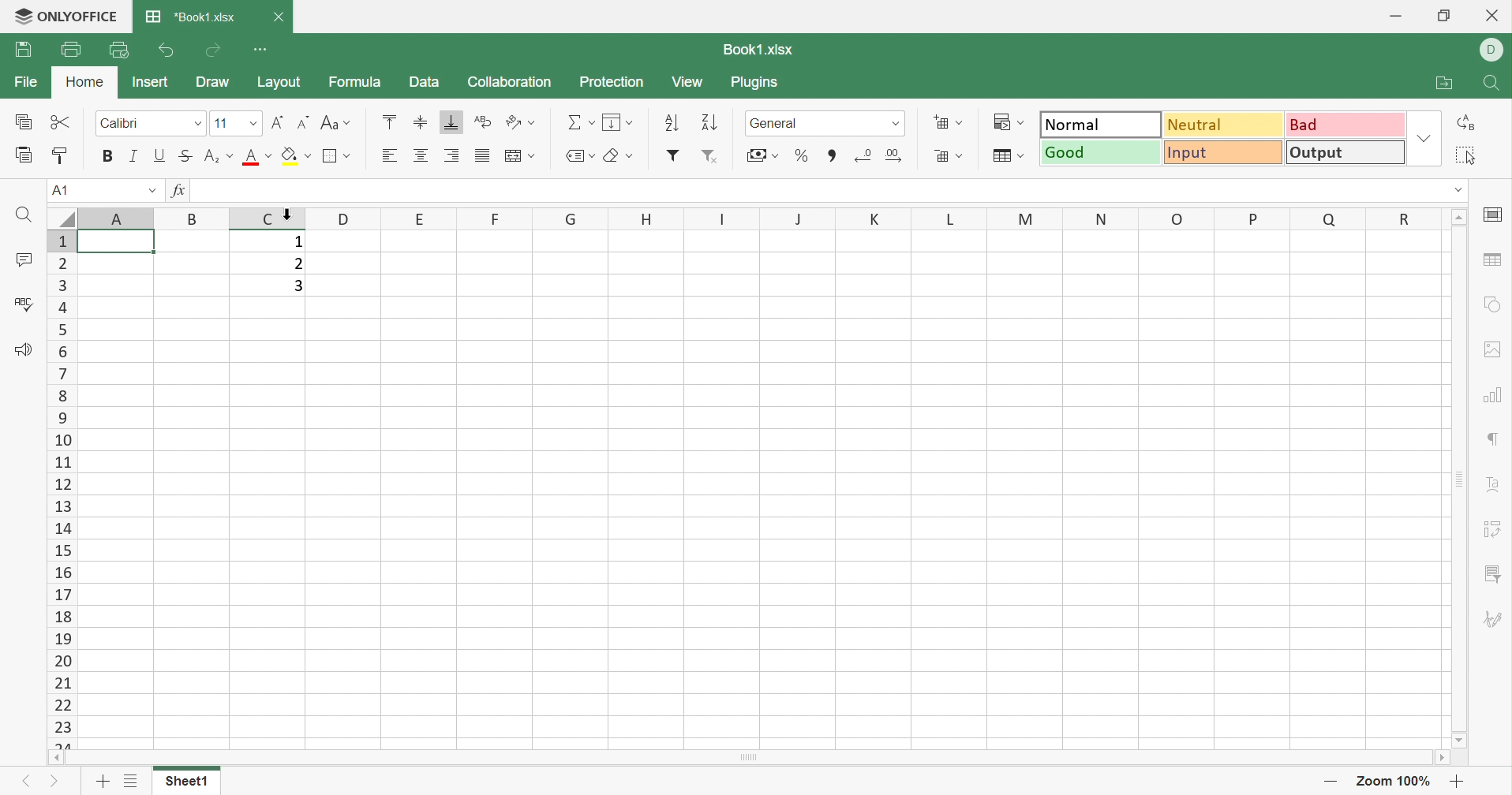 The image size is (1512, 795). I want to click on Align Bottom, so click(453, 122).